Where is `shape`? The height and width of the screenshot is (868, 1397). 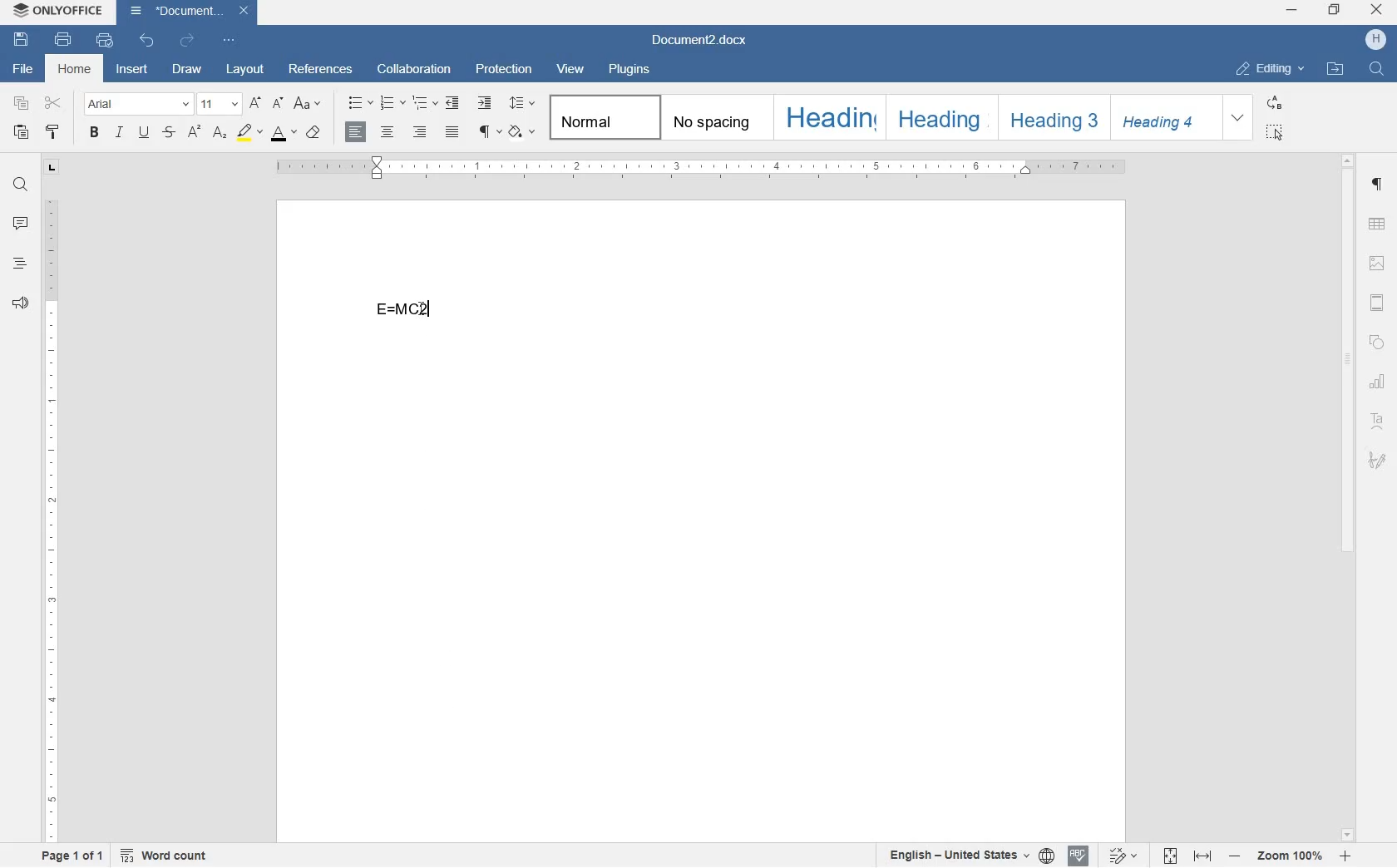
shape is located at coordinates (1379, 343).